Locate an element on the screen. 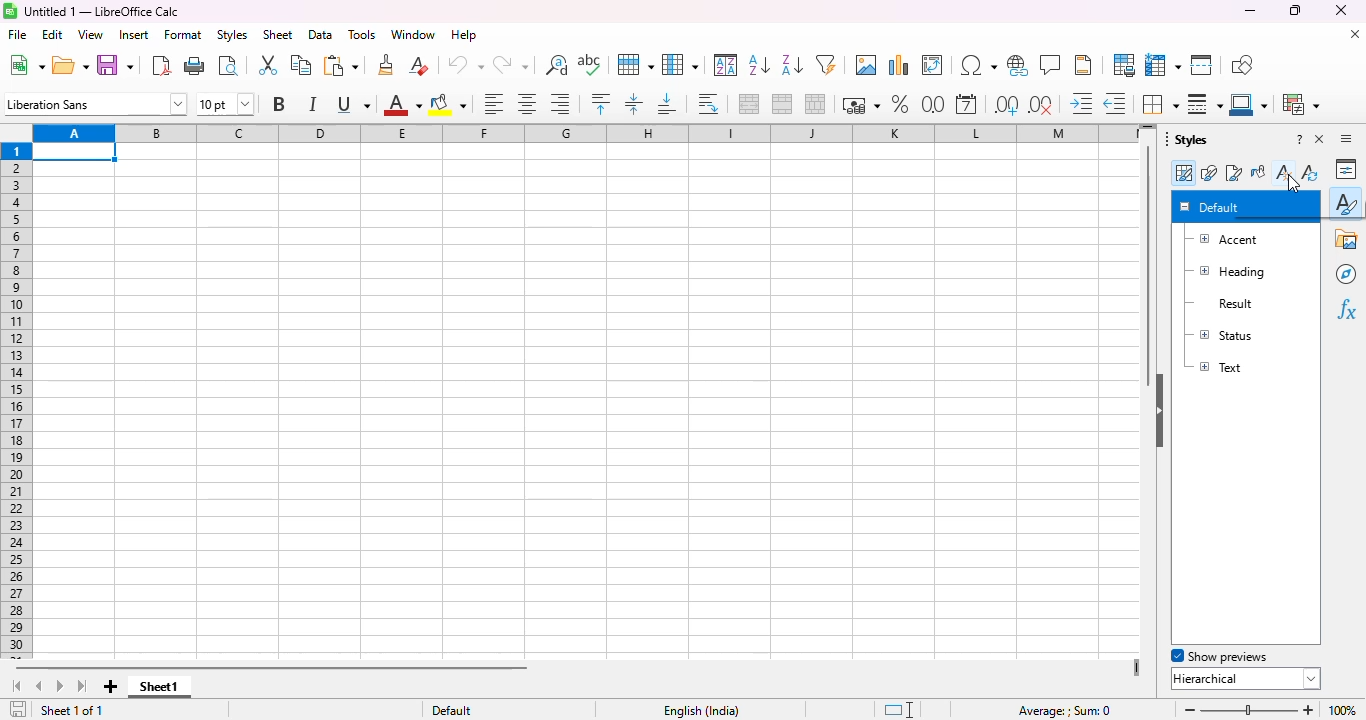 This screenshot has height=720, width=1366. sheet 1 of 1 is located at coordinates (73, 710).